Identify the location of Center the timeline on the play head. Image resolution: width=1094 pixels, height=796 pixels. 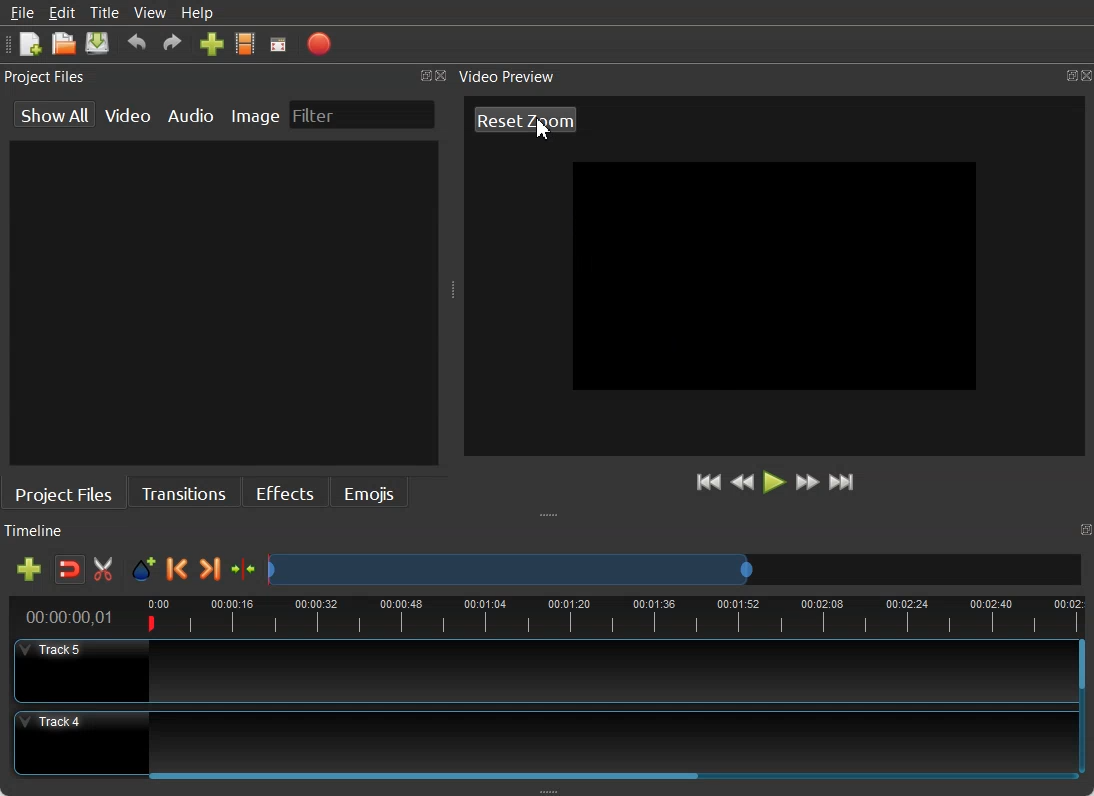
(244, 569).